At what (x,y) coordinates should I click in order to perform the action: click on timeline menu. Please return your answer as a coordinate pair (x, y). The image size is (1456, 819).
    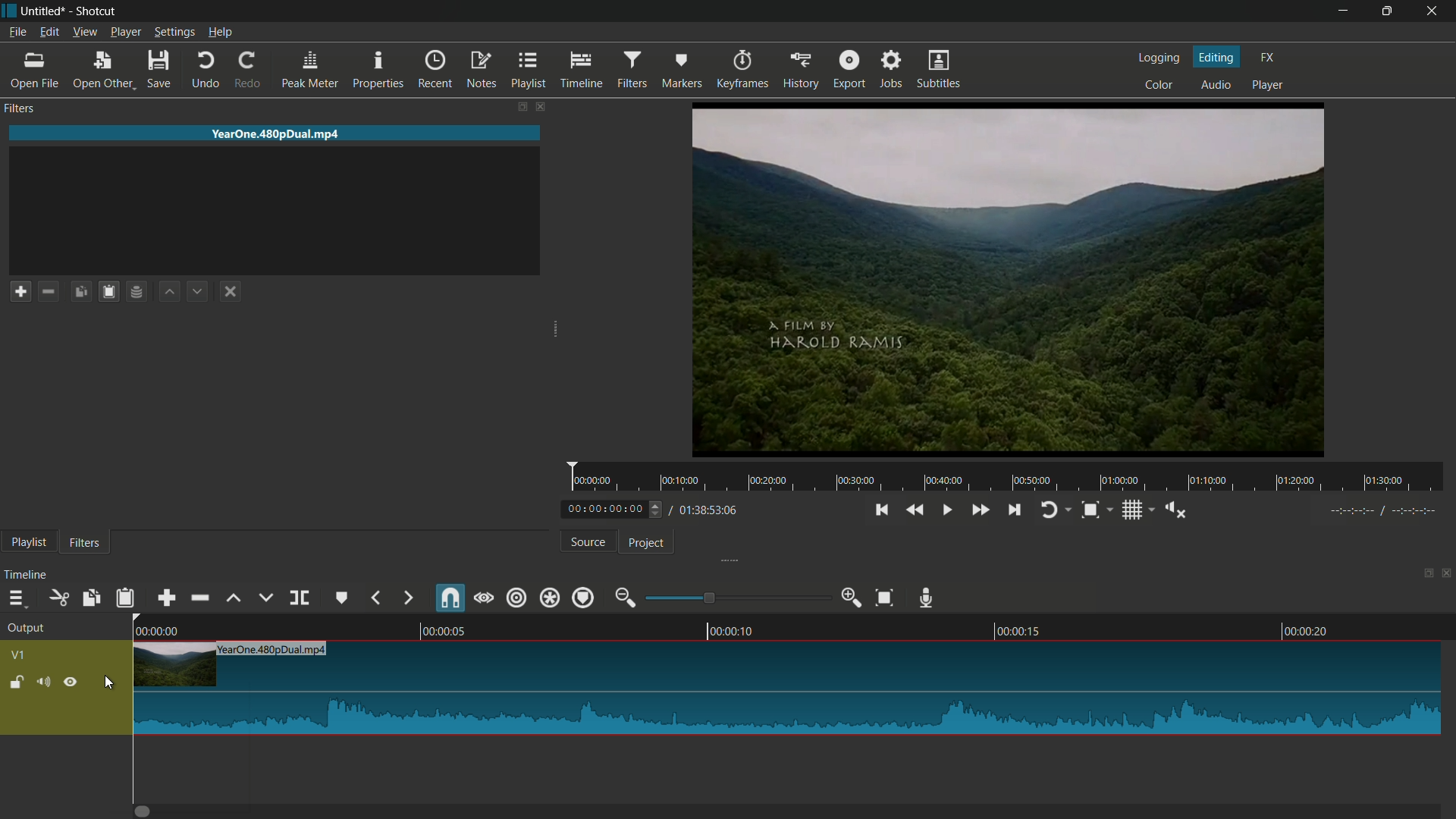
    Looking at the image, I should click on (15, 598).